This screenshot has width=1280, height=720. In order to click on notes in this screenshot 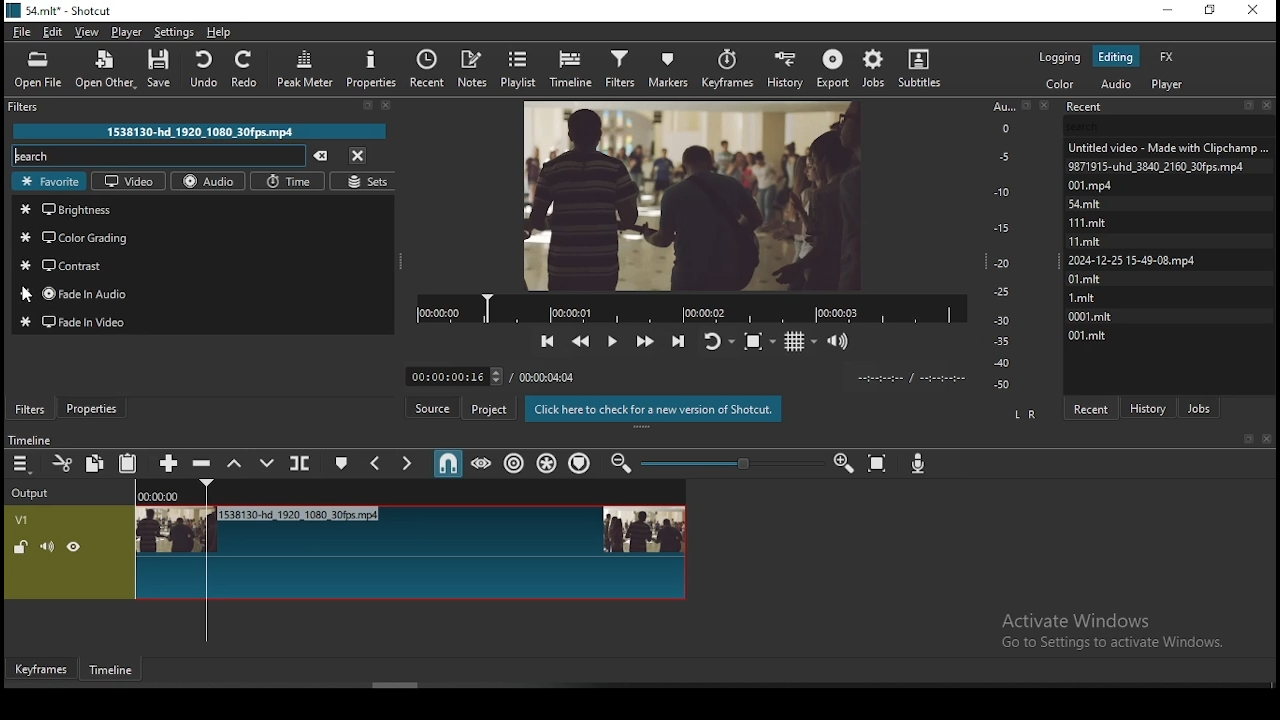, I will do `click(475, 67)`.